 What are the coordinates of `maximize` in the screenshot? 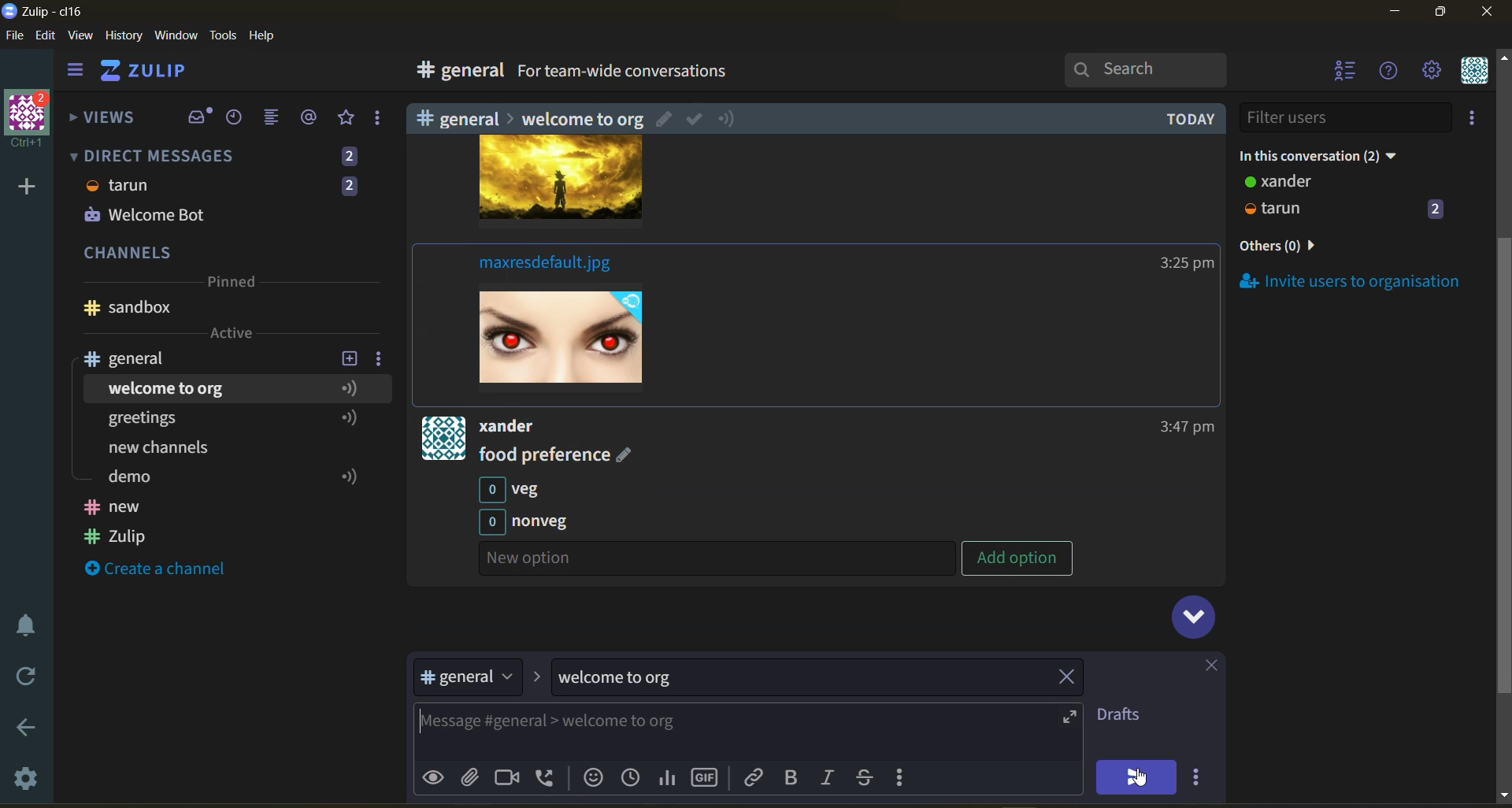 It's located at (1437, 17).